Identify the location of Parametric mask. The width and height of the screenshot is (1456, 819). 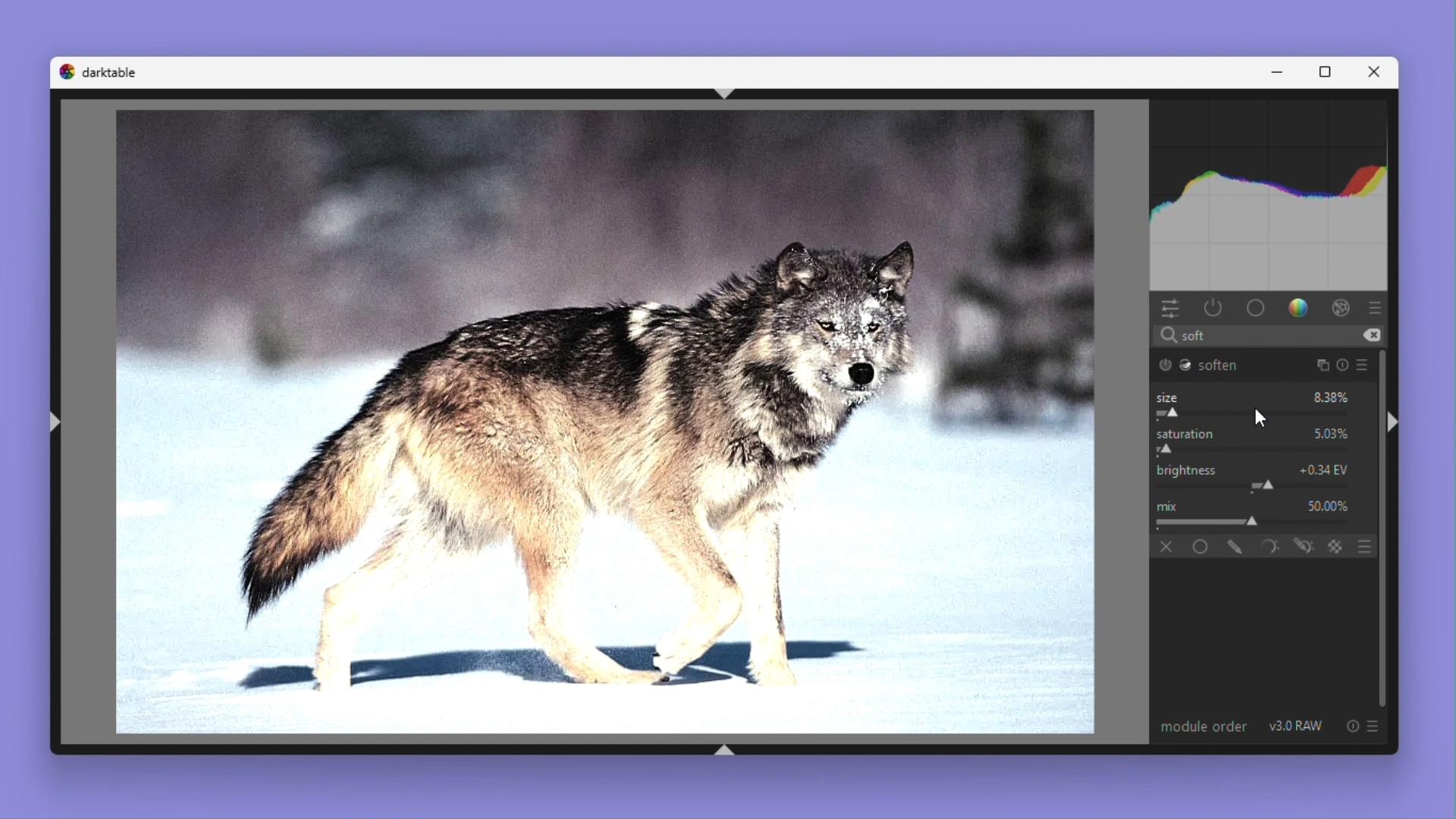
(1267, 546).